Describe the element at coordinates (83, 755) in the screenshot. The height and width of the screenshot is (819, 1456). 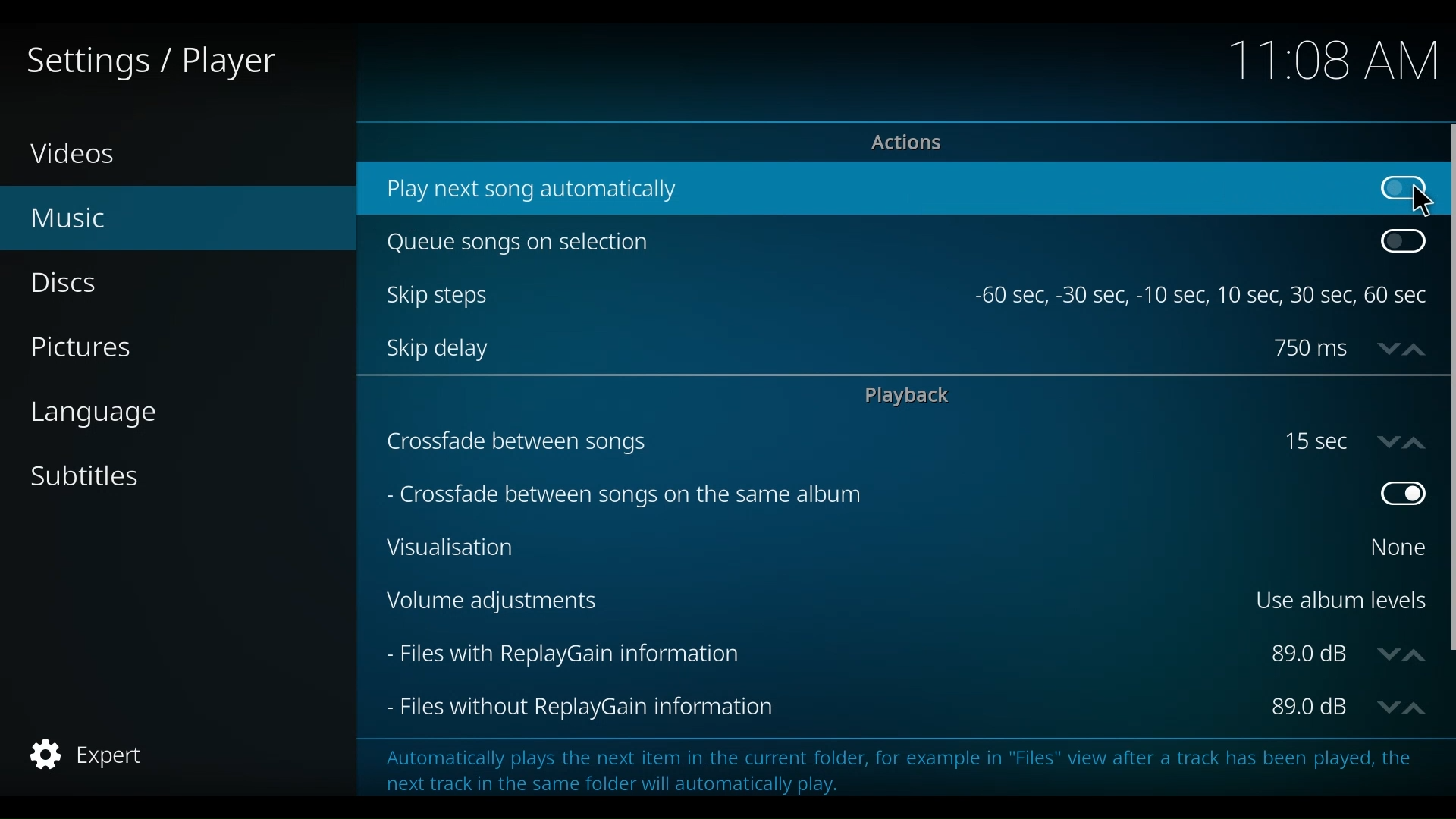
I see `expert` at that location.